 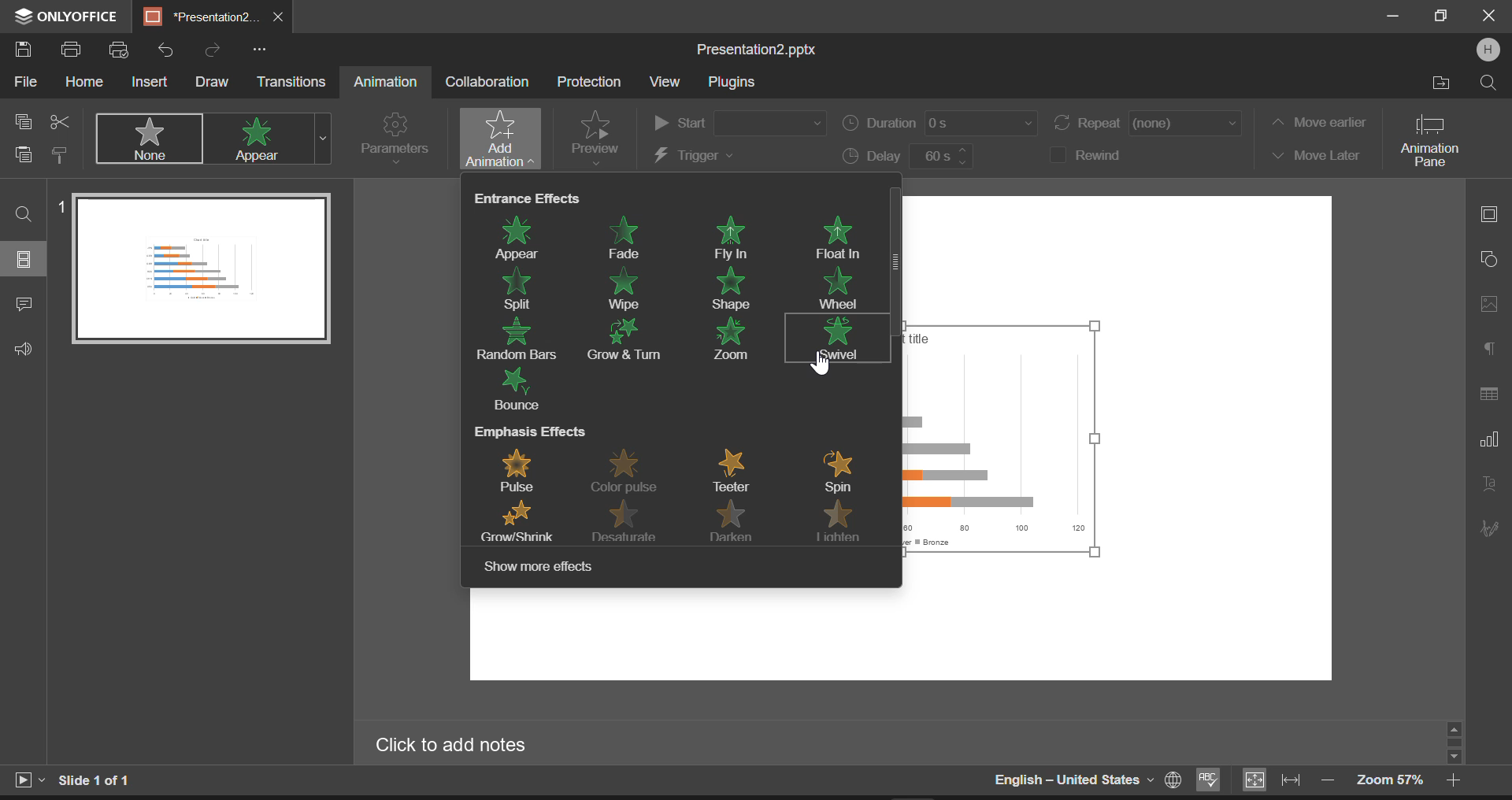 I want to click on Shape Settings, so click(x=1488, y=257).